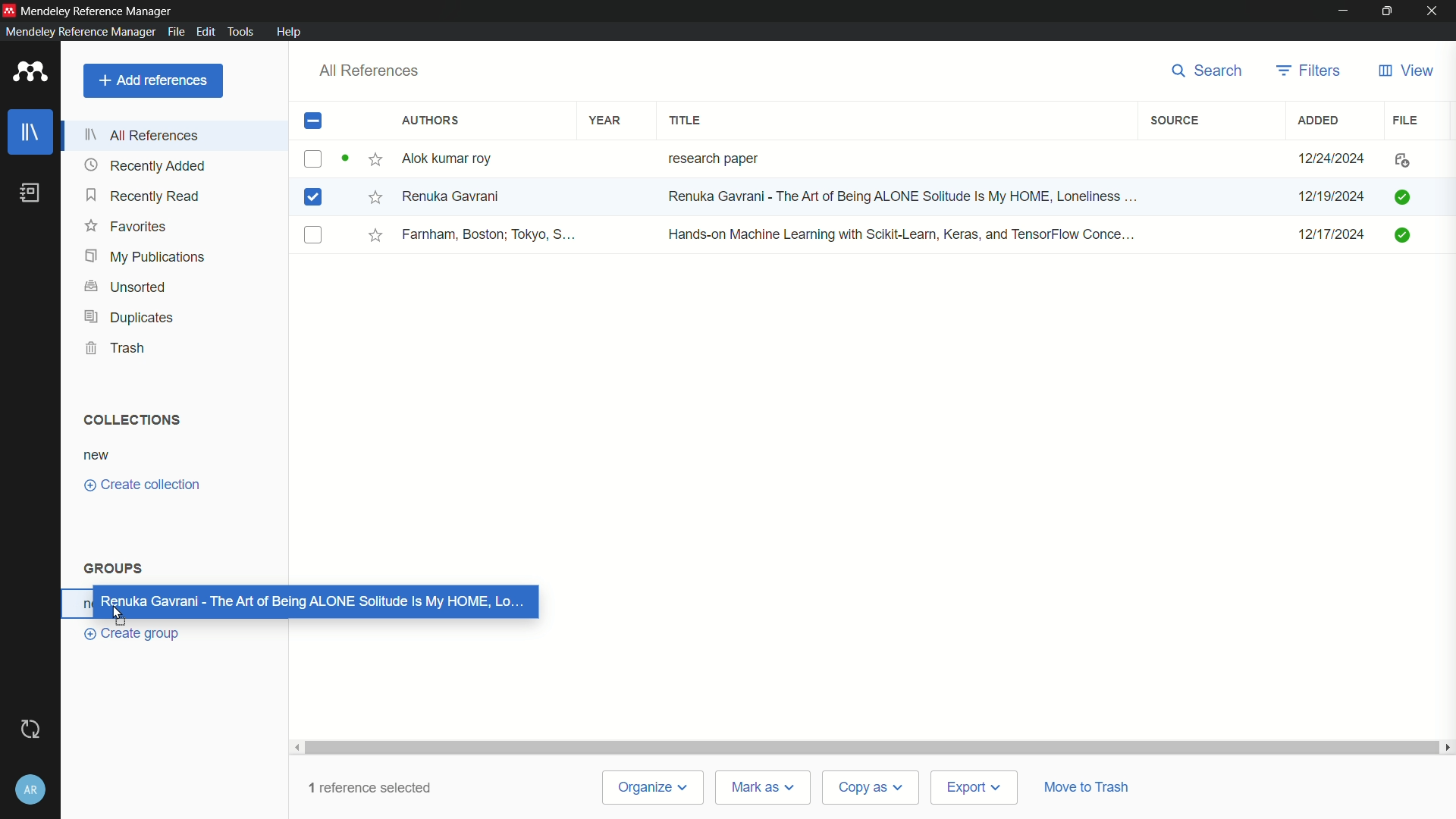 The width and height of the screenshot is (1456, 819). Describe the element at coordinates (1401, 196) in the screenshot. I see `Checked` at that location.